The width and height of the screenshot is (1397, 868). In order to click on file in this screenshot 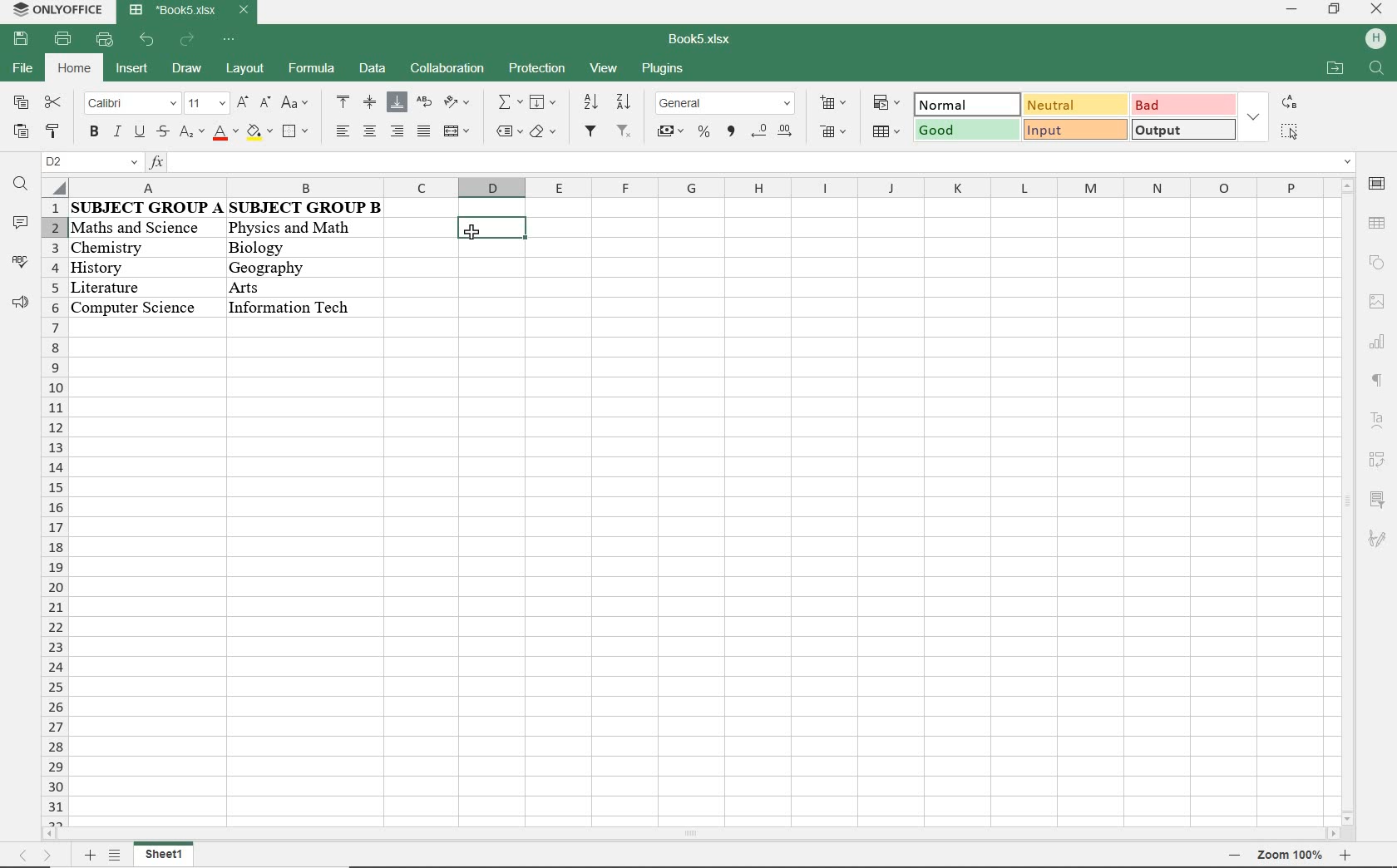, I will do `click(21, 68)`.